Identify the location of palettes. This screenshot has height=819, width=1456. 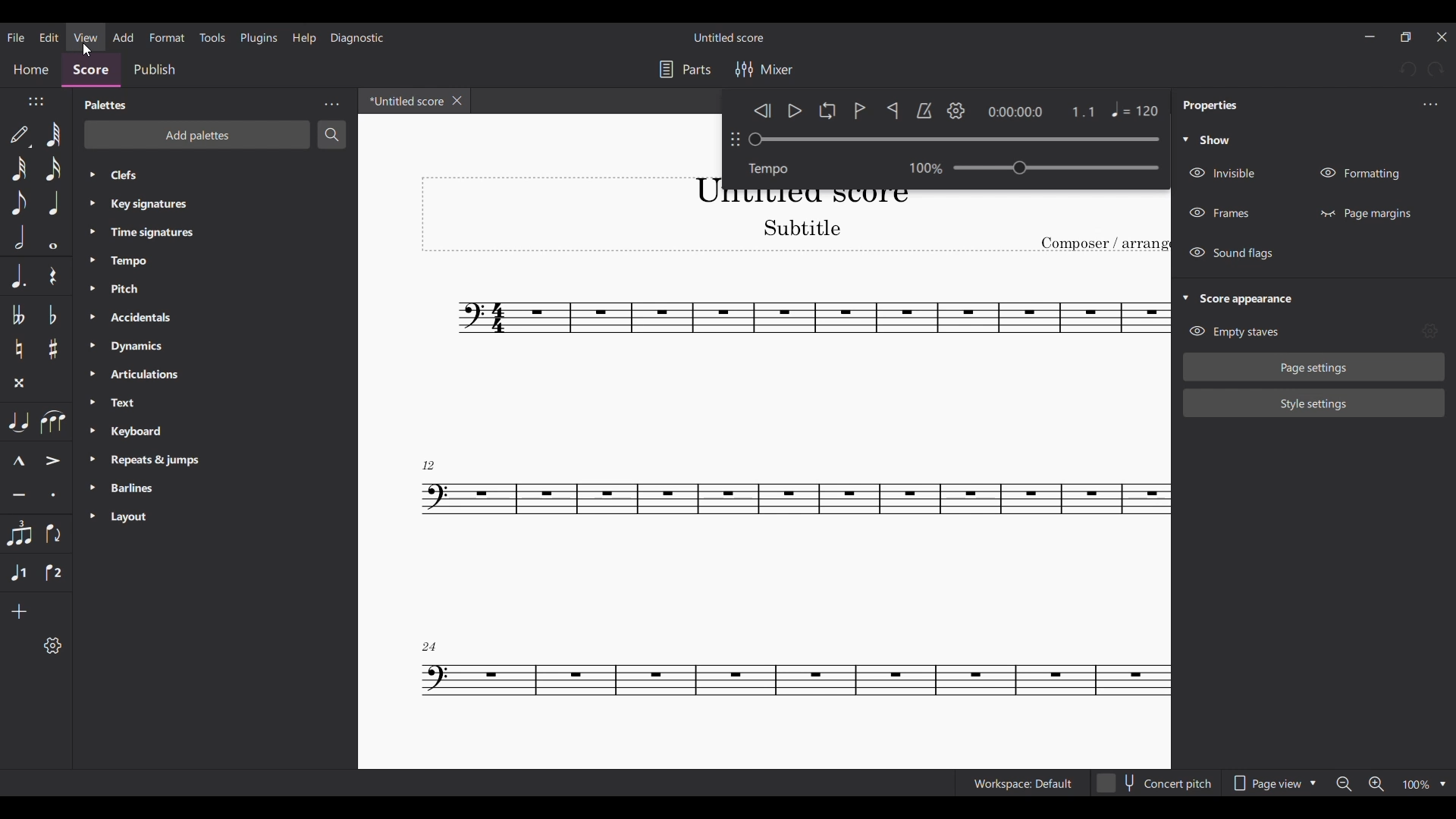
(102, 105).